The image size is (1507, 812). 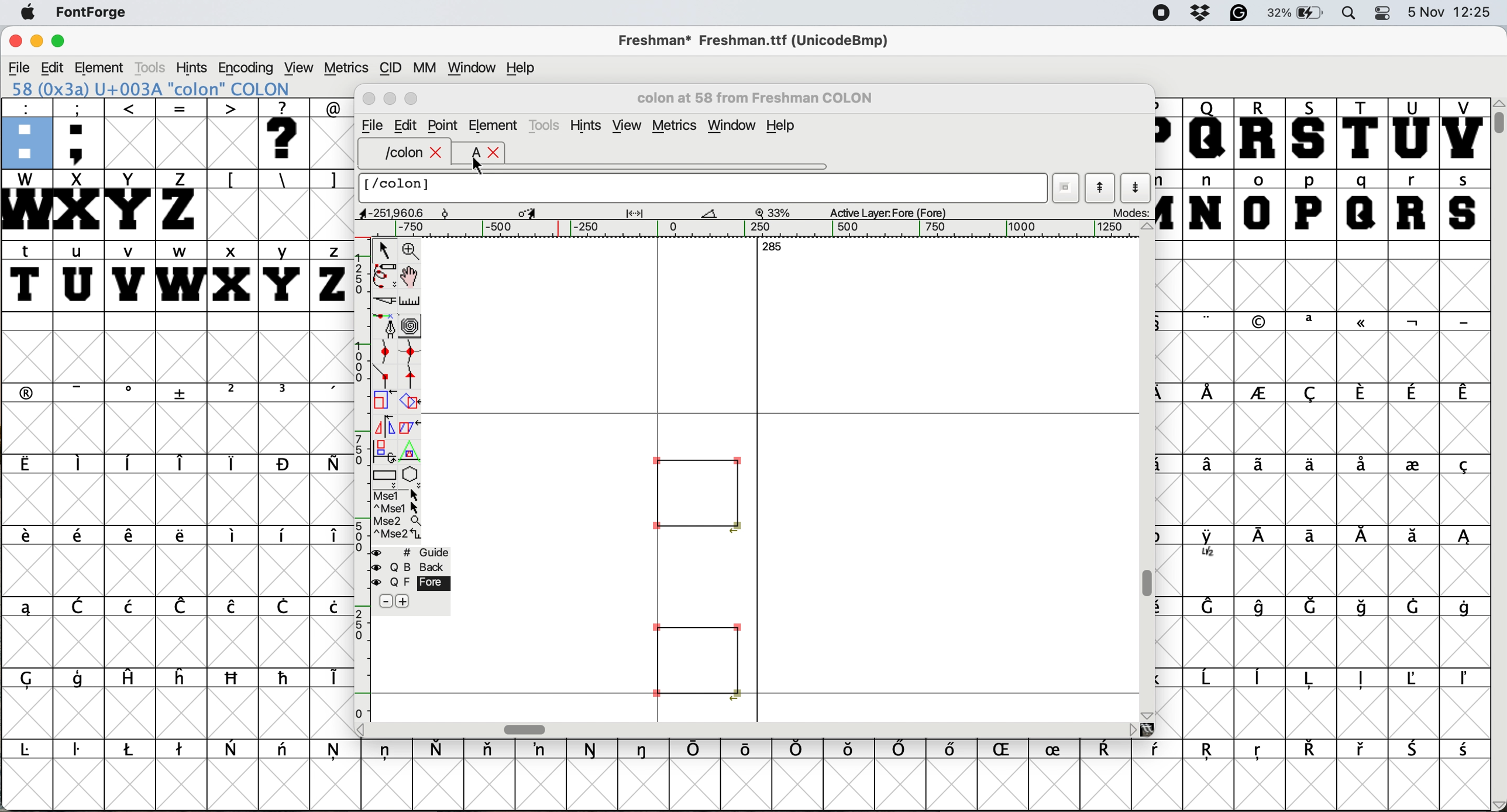 I want to click on symbol, so click(x=1059, y=748).